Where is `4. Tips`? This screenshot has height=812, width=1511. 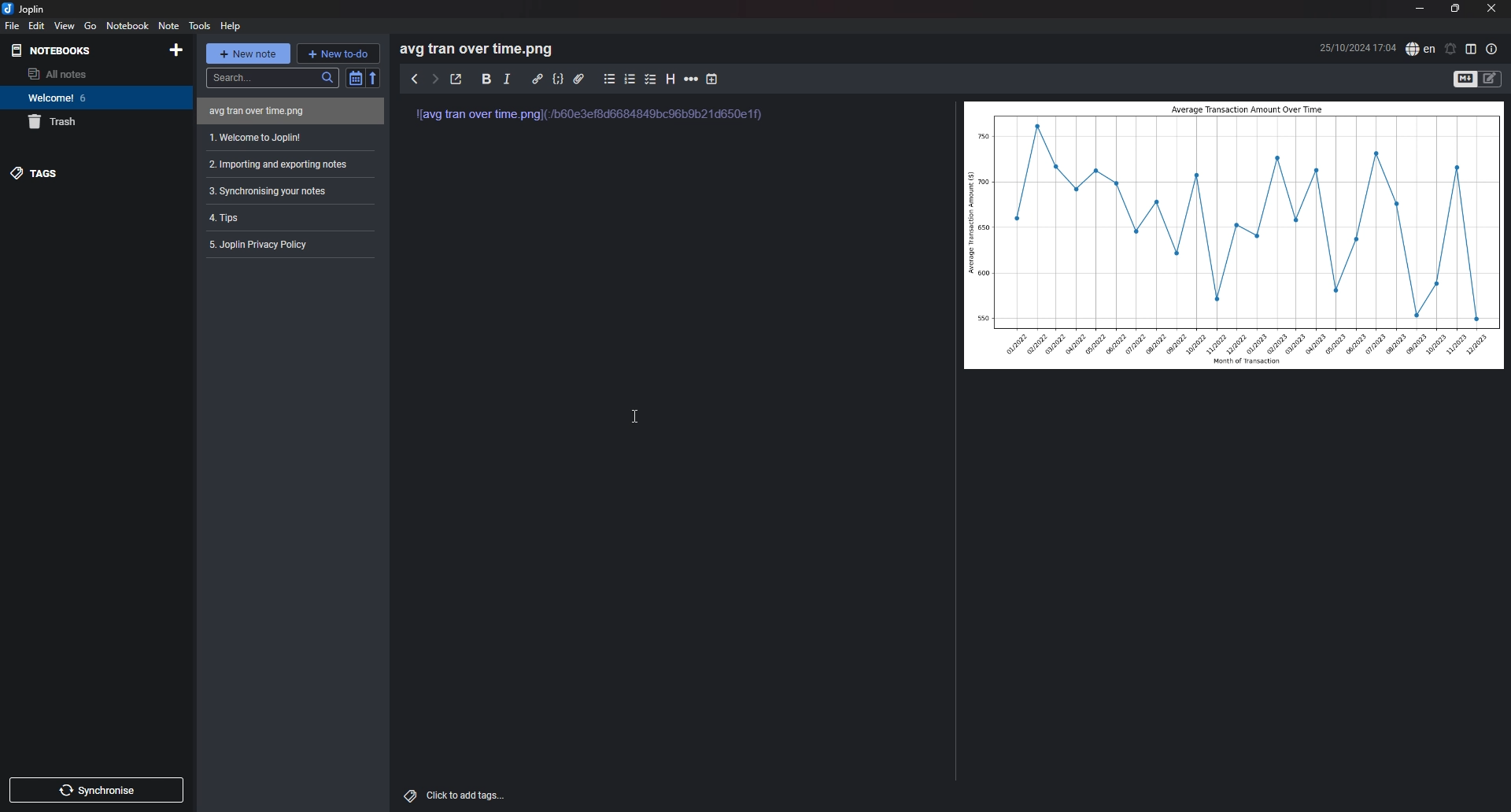 4. Tips is located at coordinates (286, 216).